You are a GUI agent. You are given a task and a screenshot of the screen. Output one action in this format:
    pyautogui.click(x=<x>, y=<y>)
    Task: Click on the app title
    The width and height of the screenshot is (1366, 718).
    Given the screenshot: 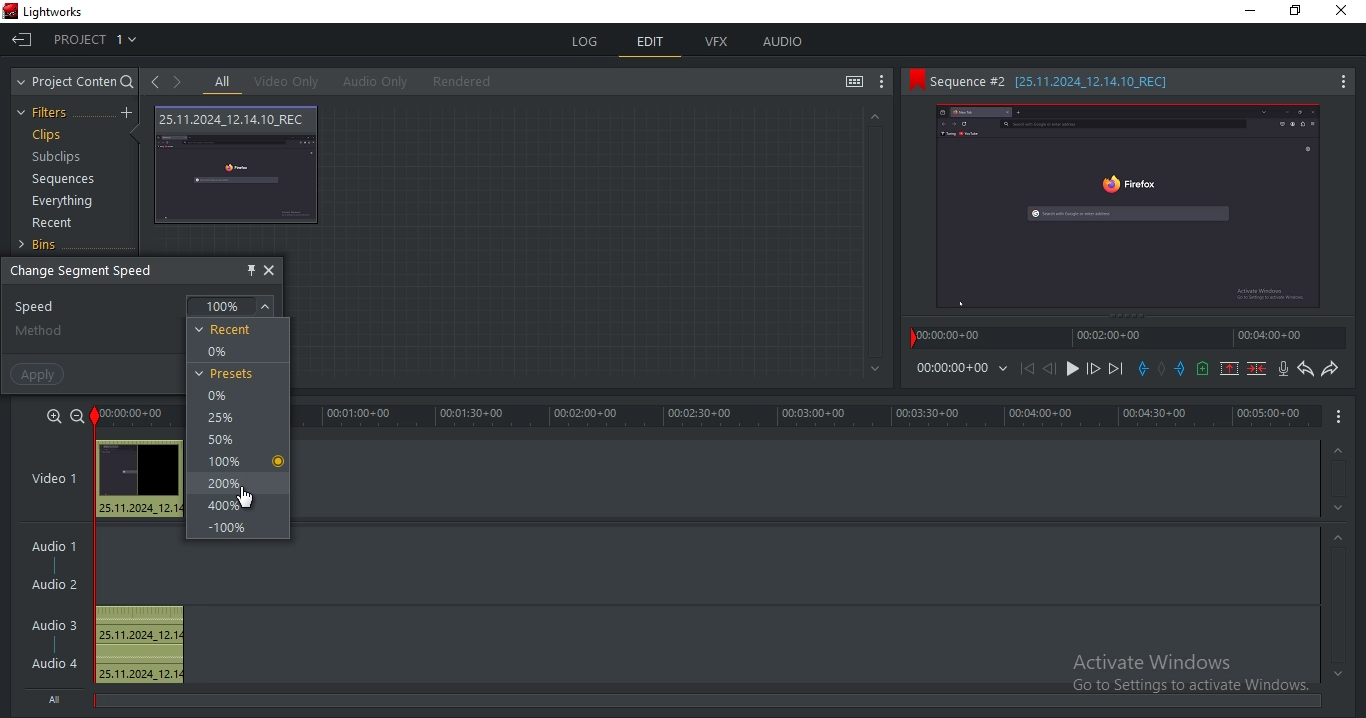 What is the action you would take?
    pyautogui.click(x=47, y=13)
    